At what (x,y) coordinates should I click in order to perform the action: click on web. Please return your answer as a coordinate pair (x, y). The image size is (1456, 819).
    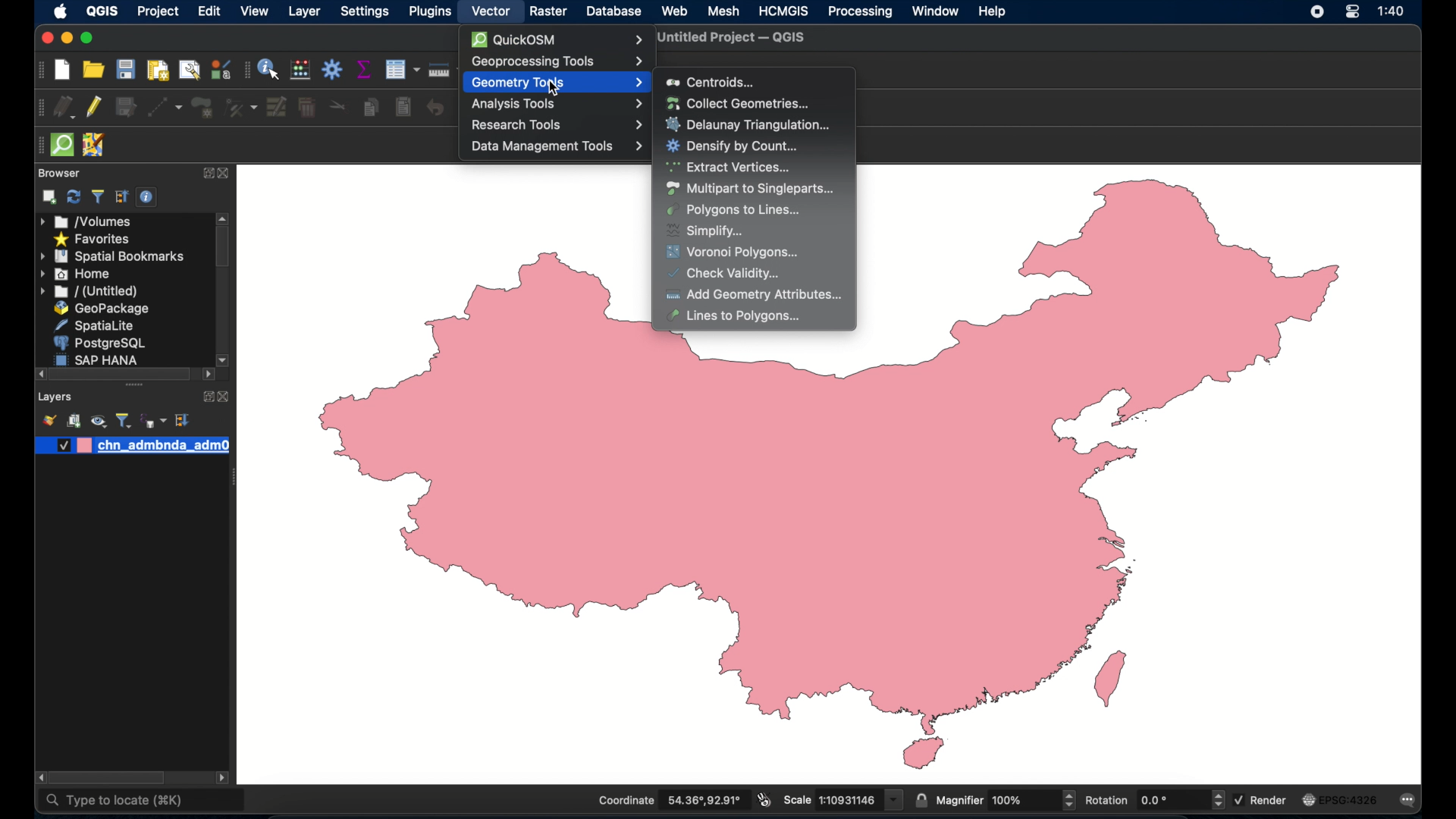
    Looking at the image, I should click on (674, 11).